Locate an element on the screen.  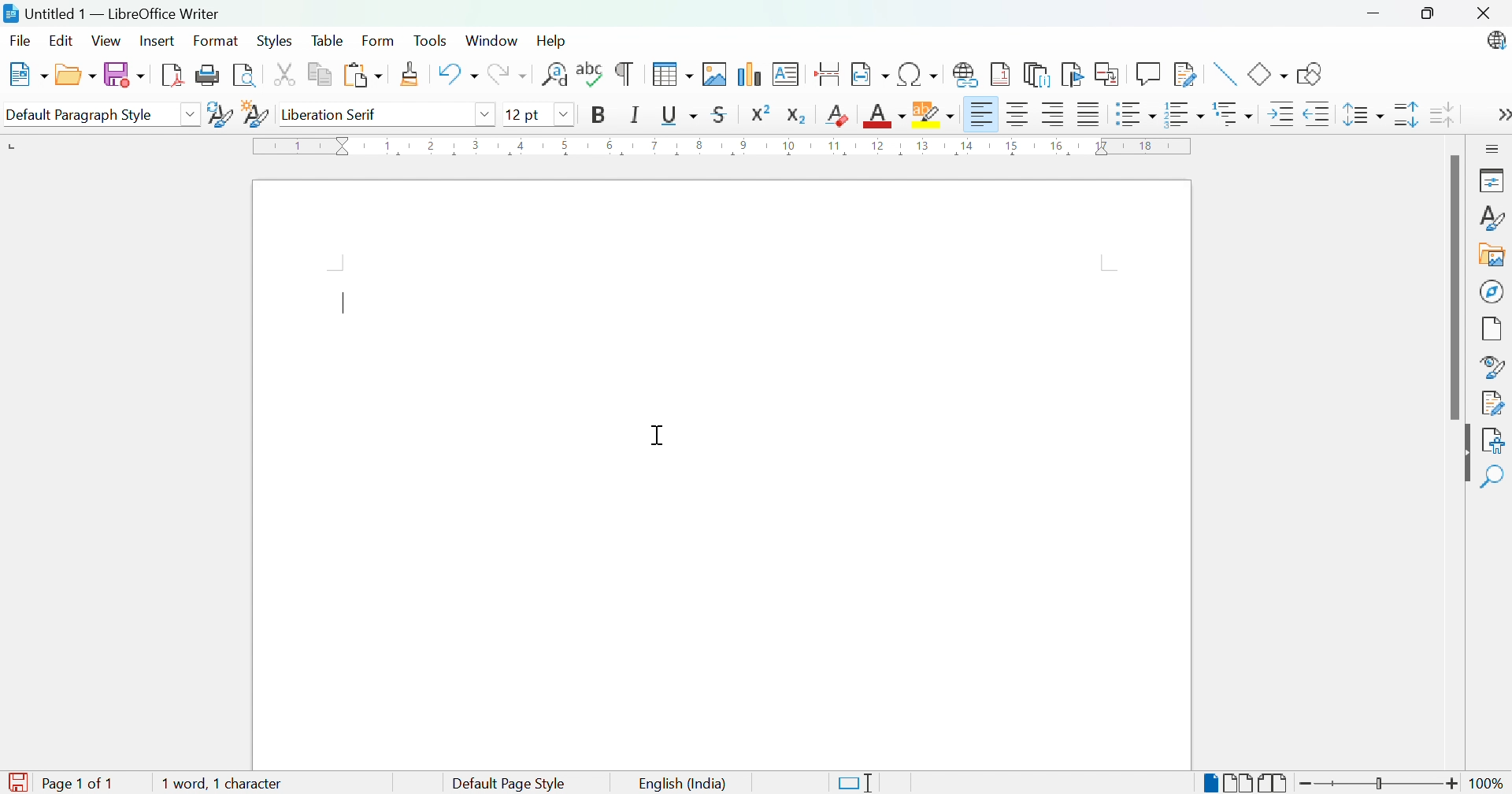
Help is located at coordinates (555, 43).